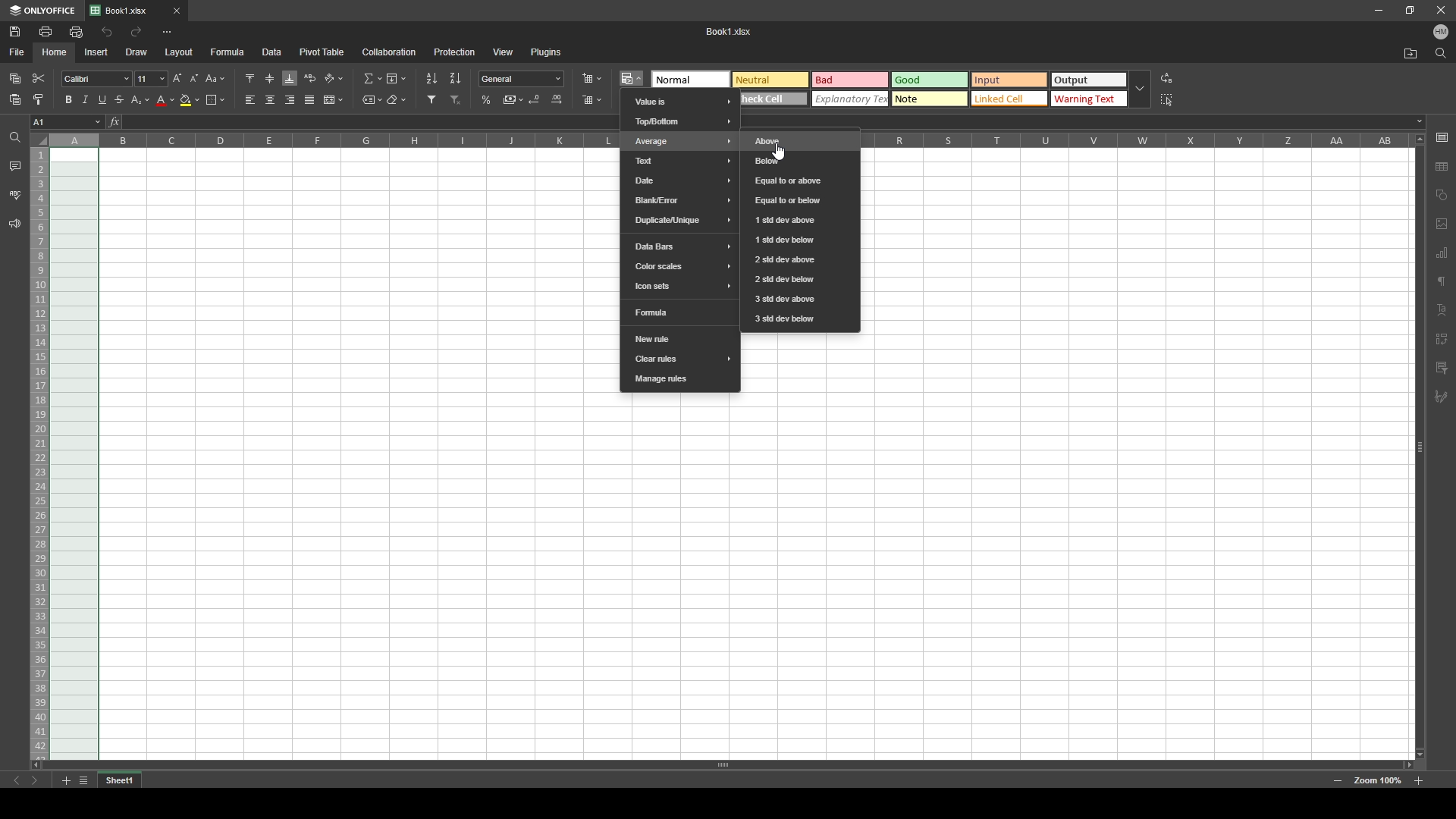 The width and height of the screenshot is (1456, 819). I want to click on 2 std dev above, so click(801, 260).